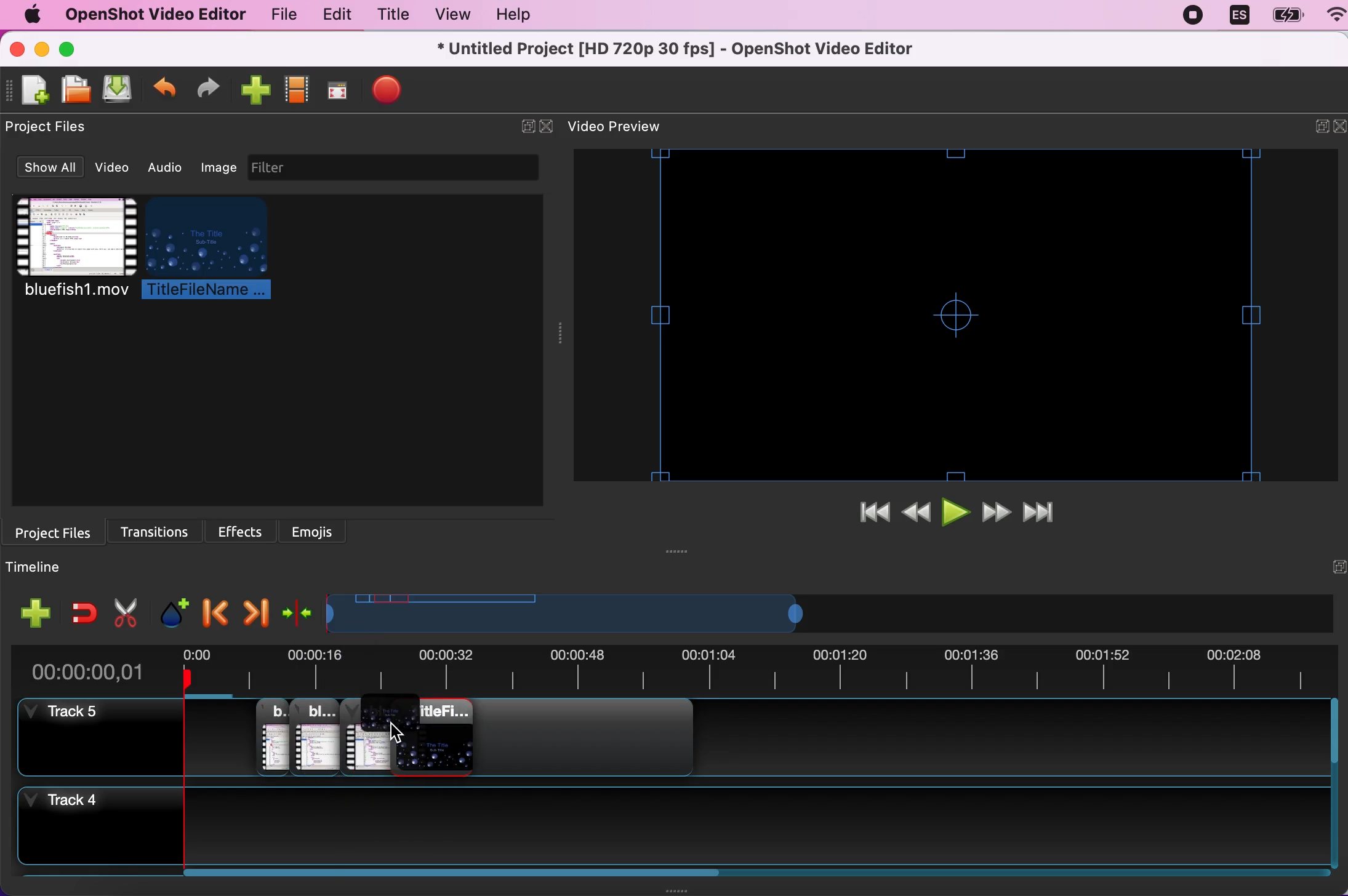 This screenshot has height=896, width=1348. What do you see at coordinates (84, 612) in the screenshot?
I see `enable snapping` at bounding box center [84, 612].